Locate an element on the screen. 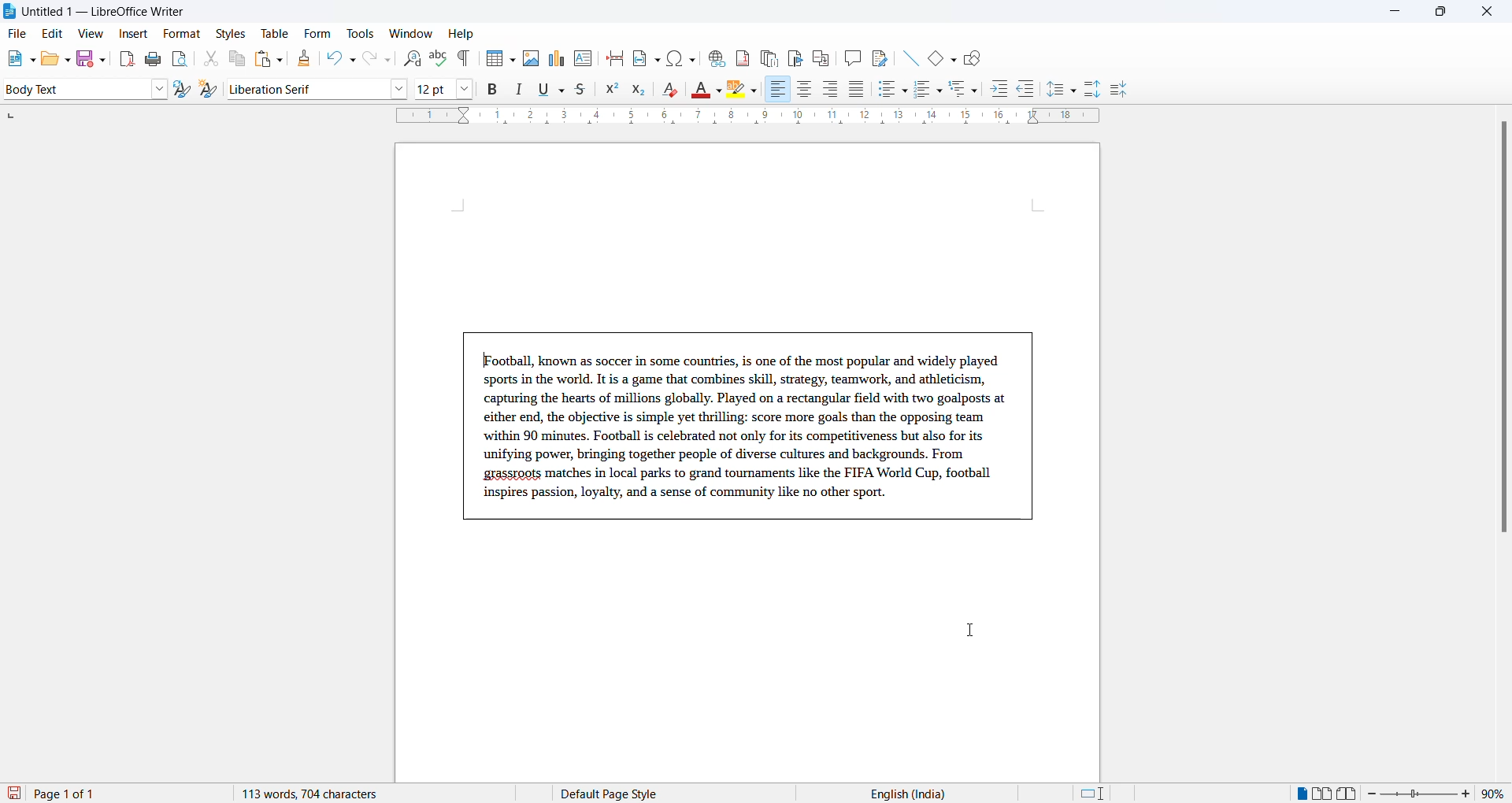 The image size is (1512, 803). font name is located at coordinates (304, 88).